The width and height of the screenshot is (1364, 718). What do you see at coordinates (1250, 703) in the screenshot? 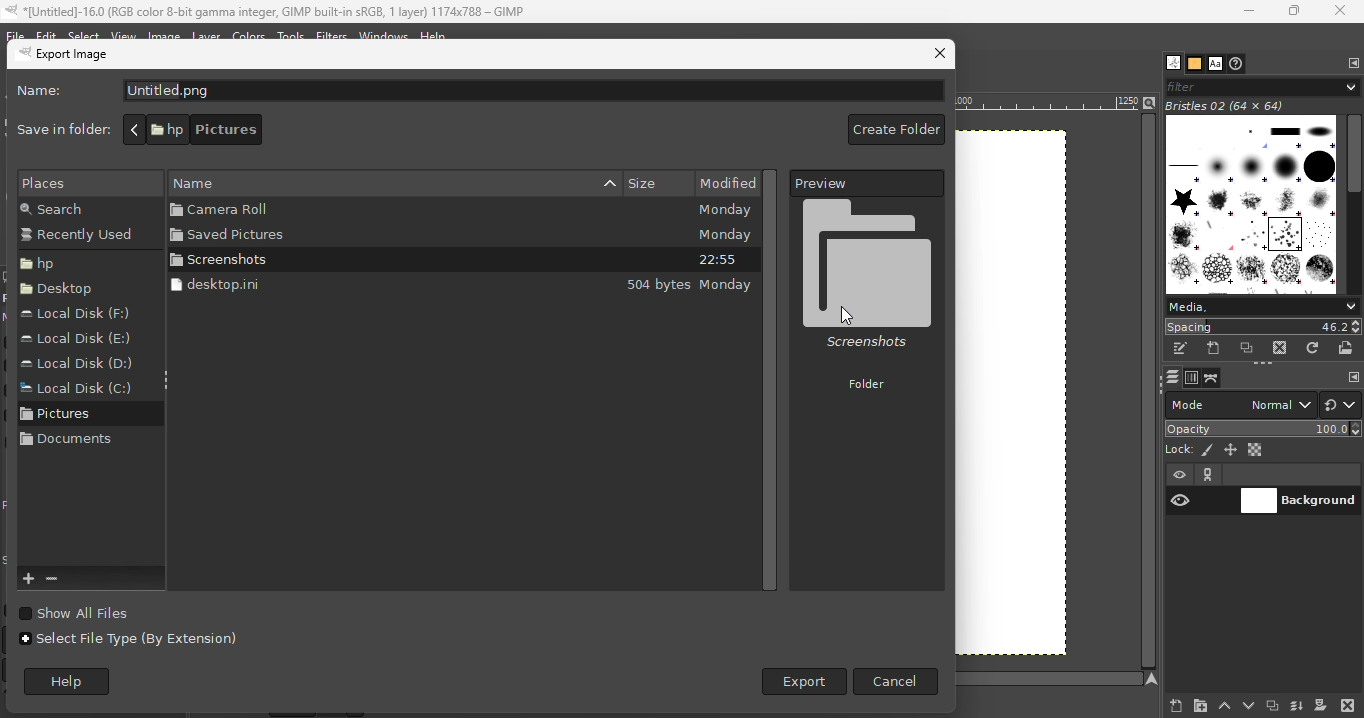
I see `Lower this layer` at bounding box center [1250, 703].